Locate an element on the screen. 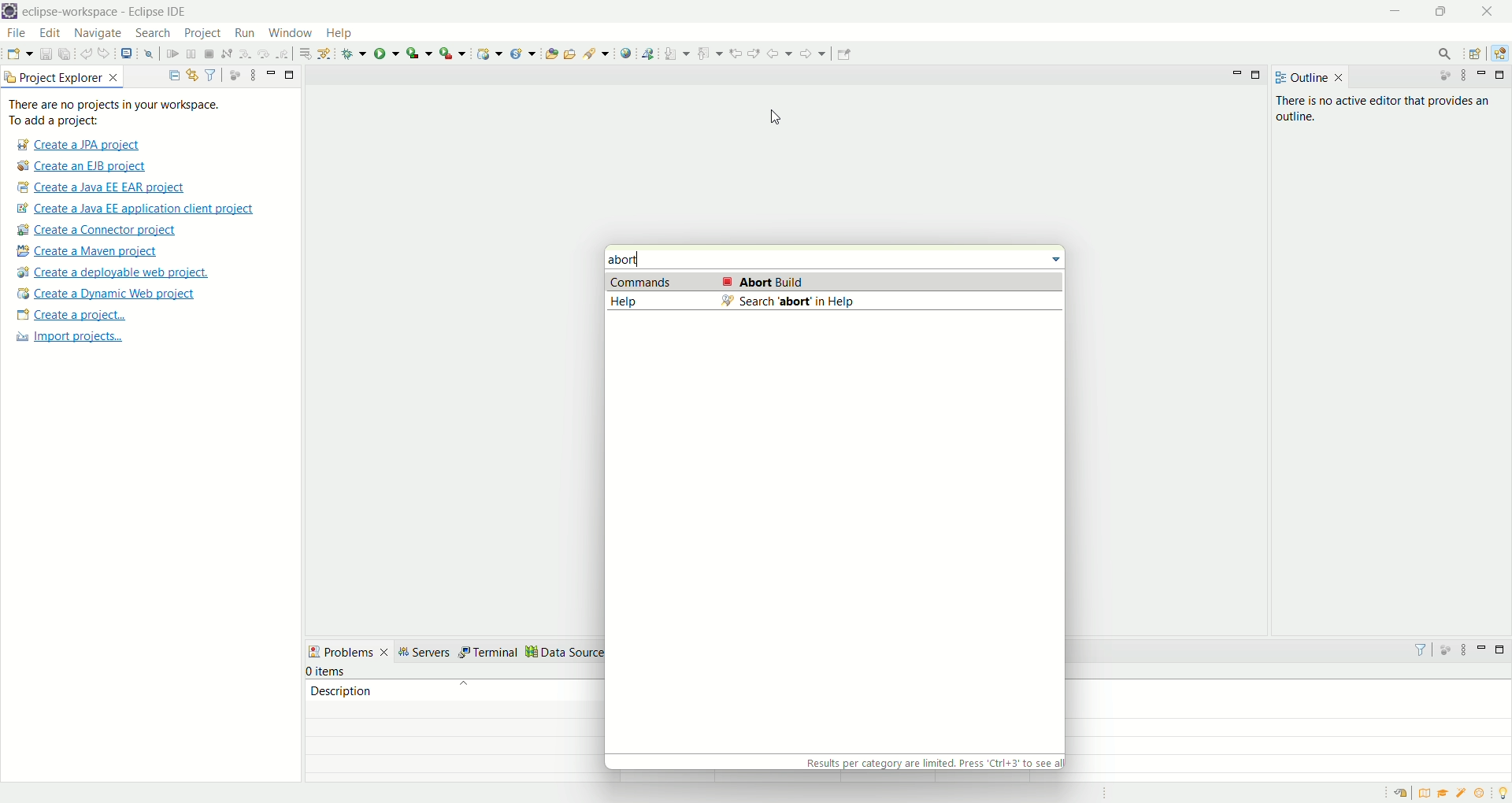  create a maven project is located at coordinates (88, 253).